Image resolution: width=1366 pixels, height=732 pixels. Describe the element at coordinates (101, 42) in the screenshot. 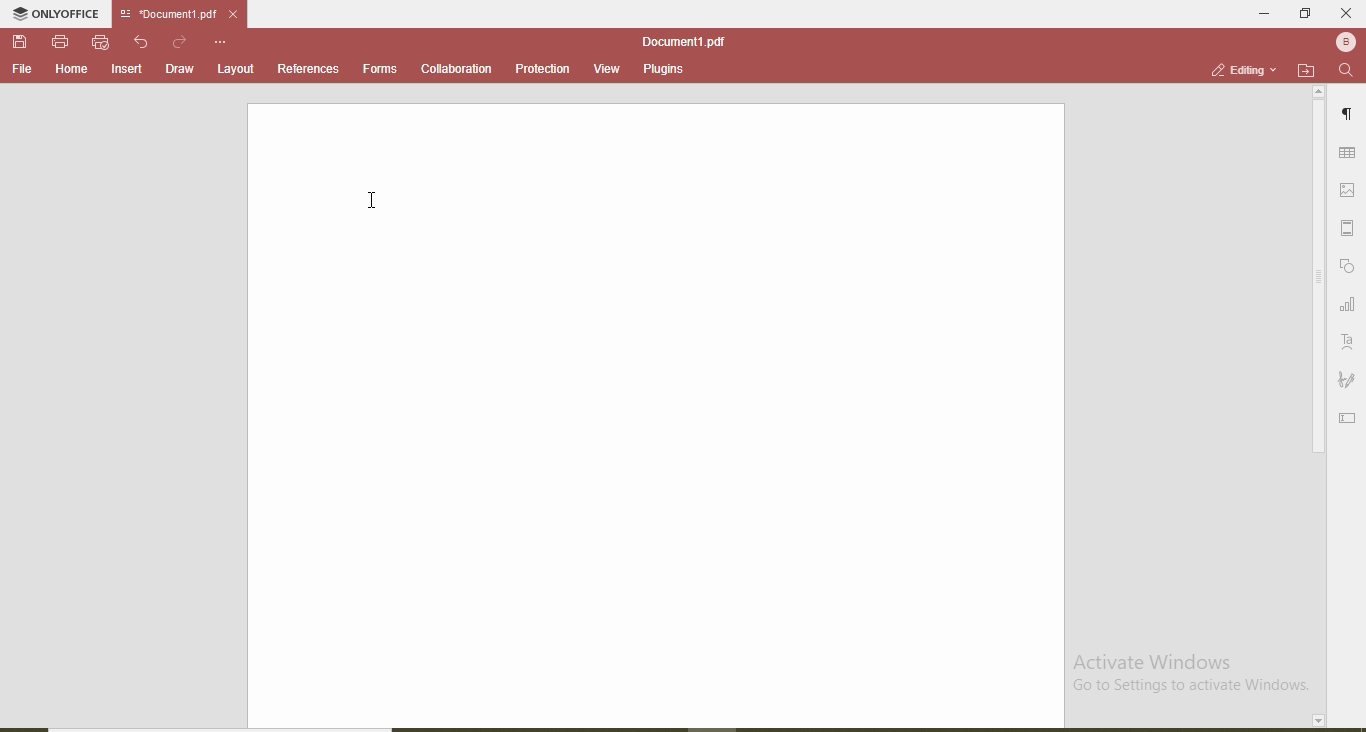

I see `quick print` at that location.